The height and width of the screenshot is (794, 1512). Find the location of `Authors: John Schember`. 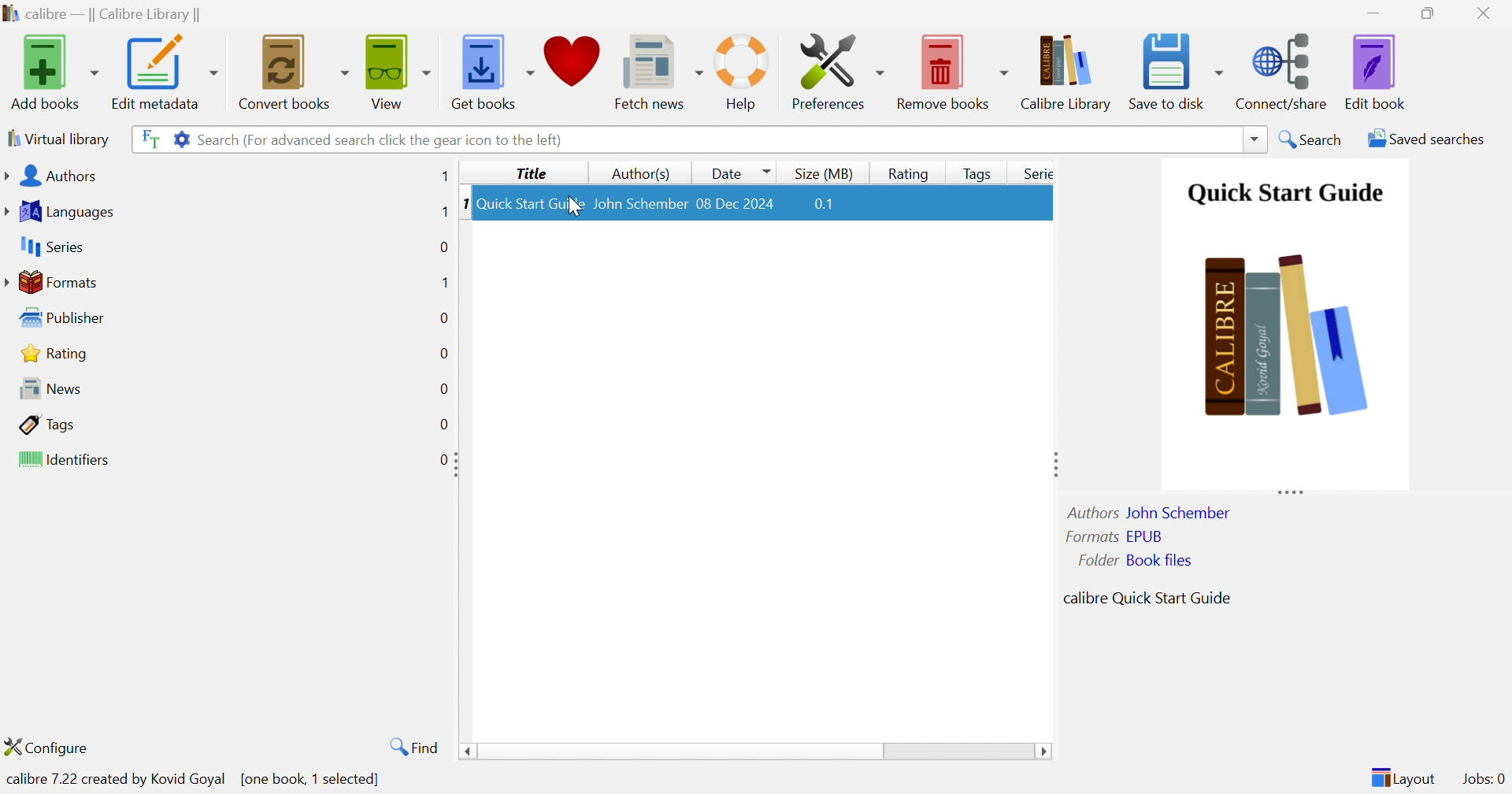

Authors: John Schember is located at coordinates (1151, 511).